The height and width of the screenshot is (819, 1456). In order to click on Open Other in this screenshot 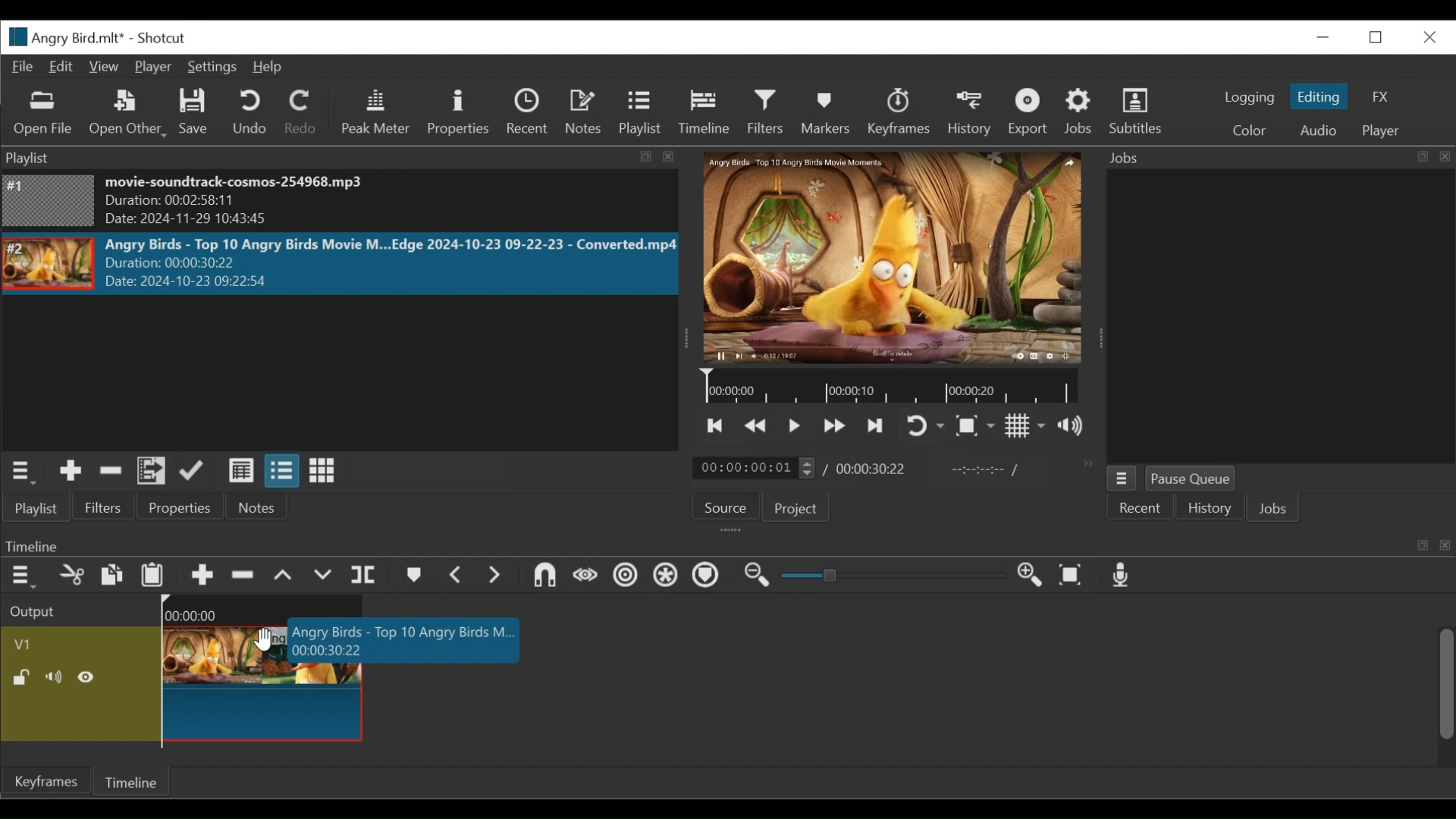, I will do `click(128, 114)`.